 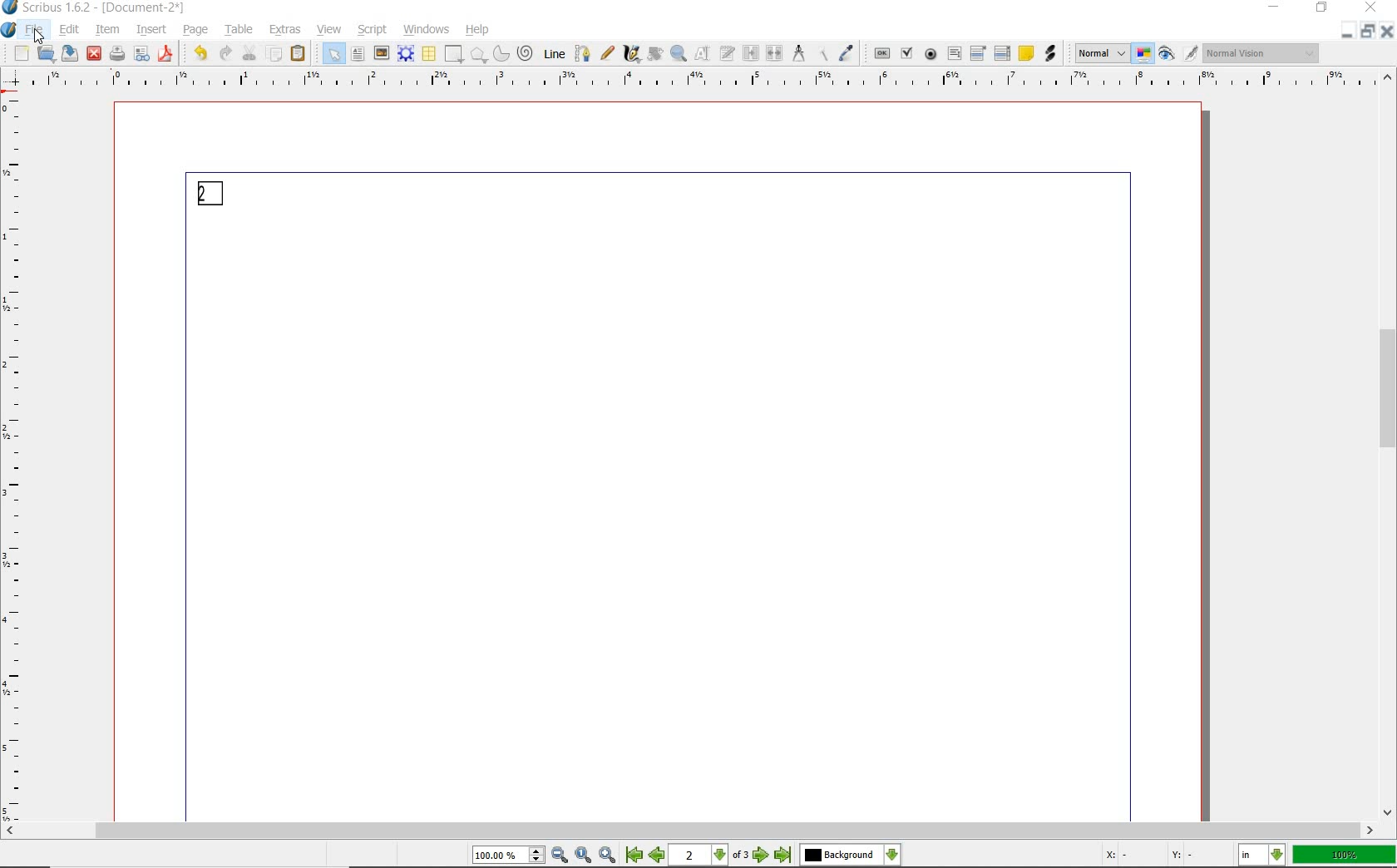 I want to click on select the current unit: in, so click(x=1263, y=856).